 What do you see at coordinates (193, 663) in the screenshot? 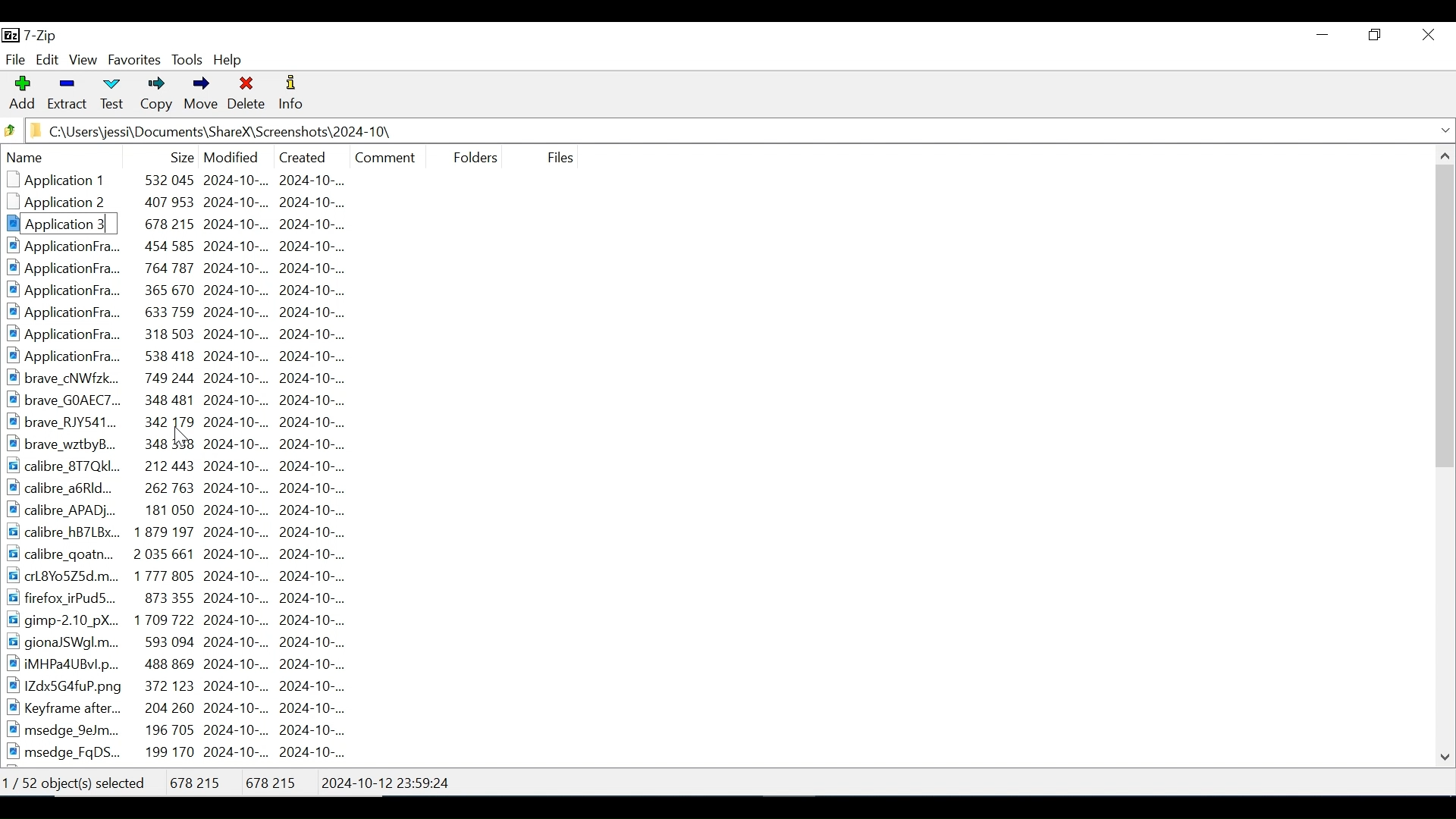
I see ` iMHPa4UBvl.p... 488 869 2024-10-.. 2024-10-...` at bounding box center [193, 663].